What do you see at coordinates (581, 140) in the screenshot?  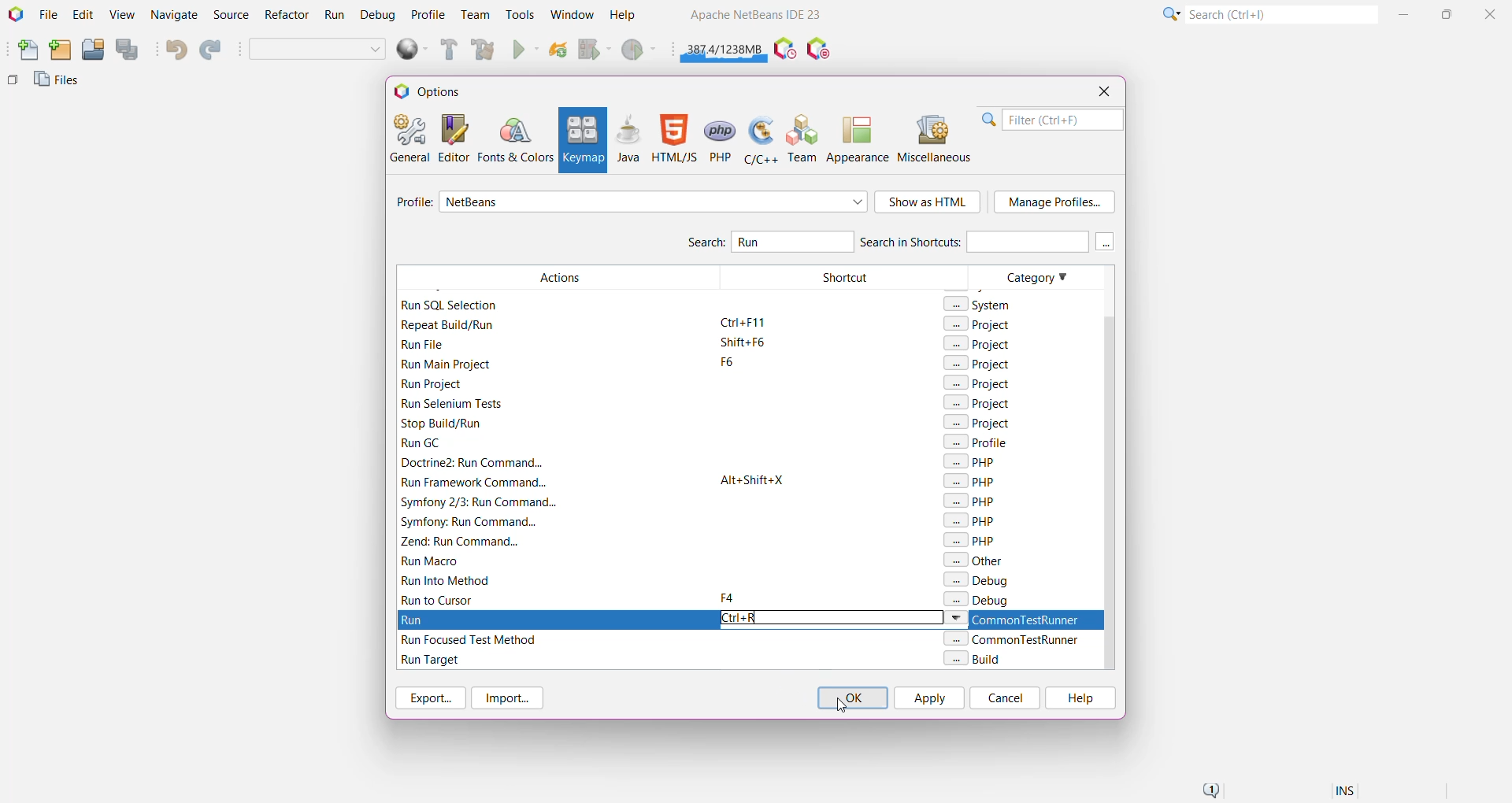 I see `Keymap` at bounding box center [581, 140].